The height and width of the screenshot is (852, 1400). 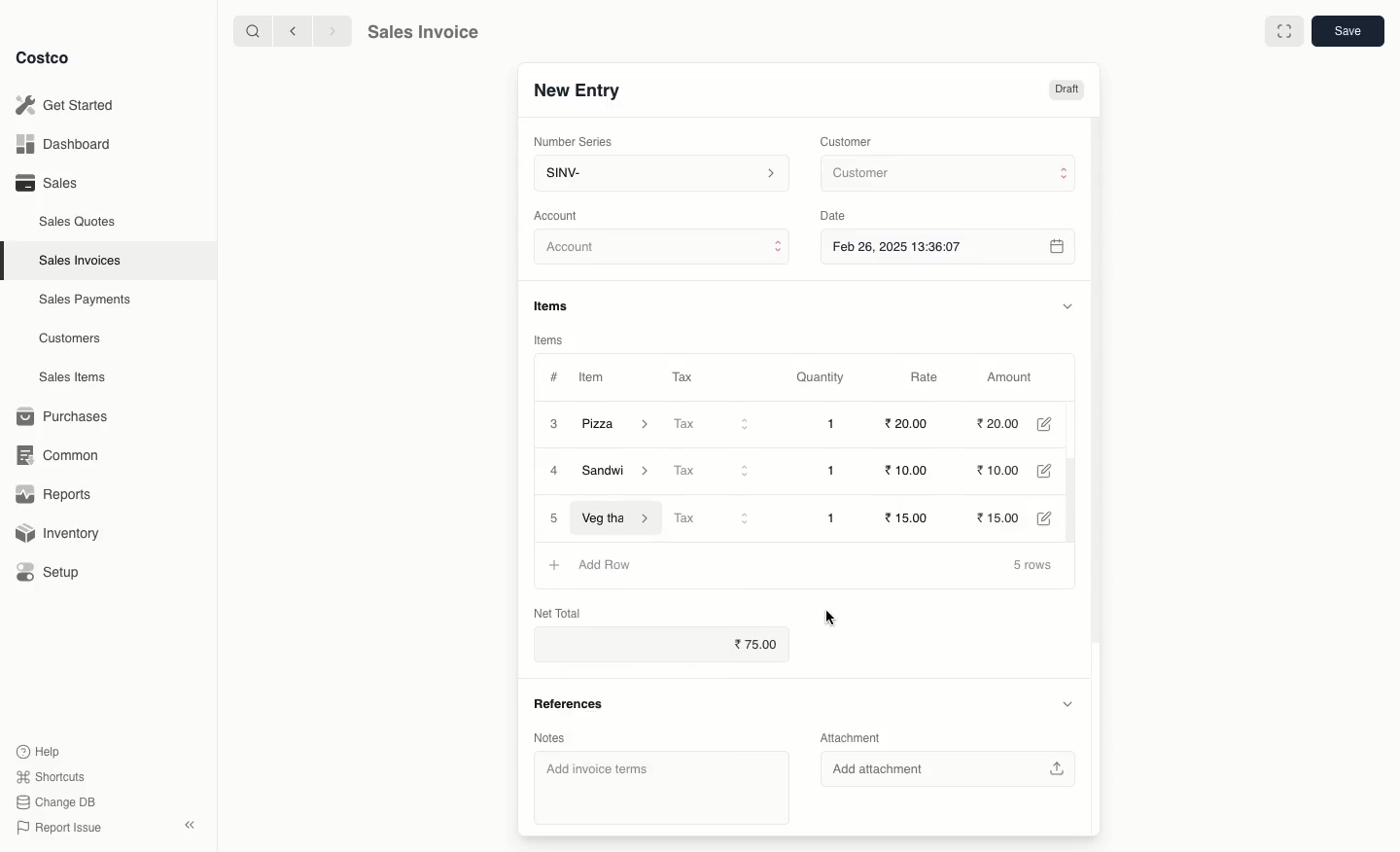 I want to click on References, so click(x=568, y=701).